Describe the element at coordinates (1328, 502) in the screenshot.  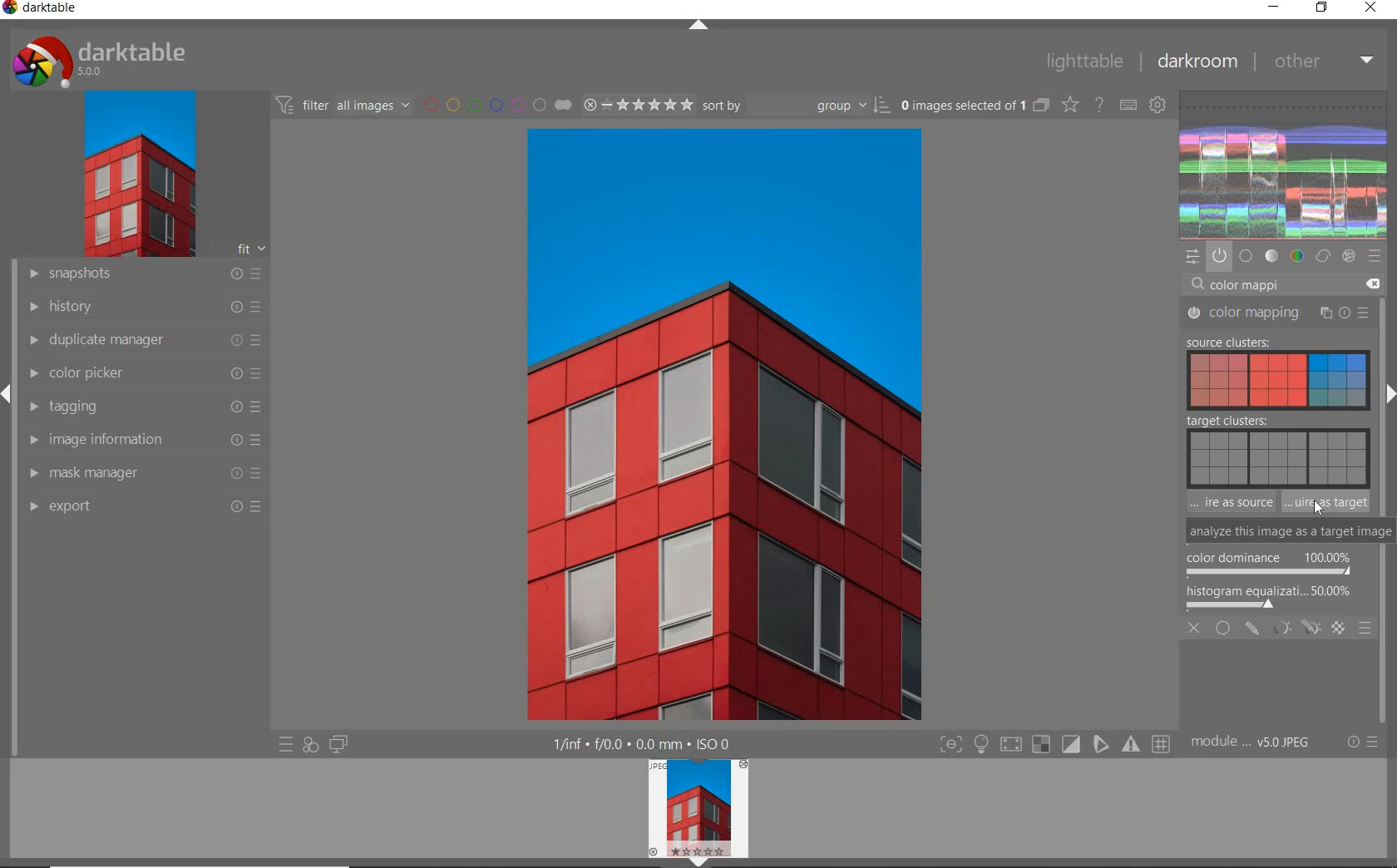
I see `ANALYZE THIS IMAGE AS TARGET IMAGE` at that location.